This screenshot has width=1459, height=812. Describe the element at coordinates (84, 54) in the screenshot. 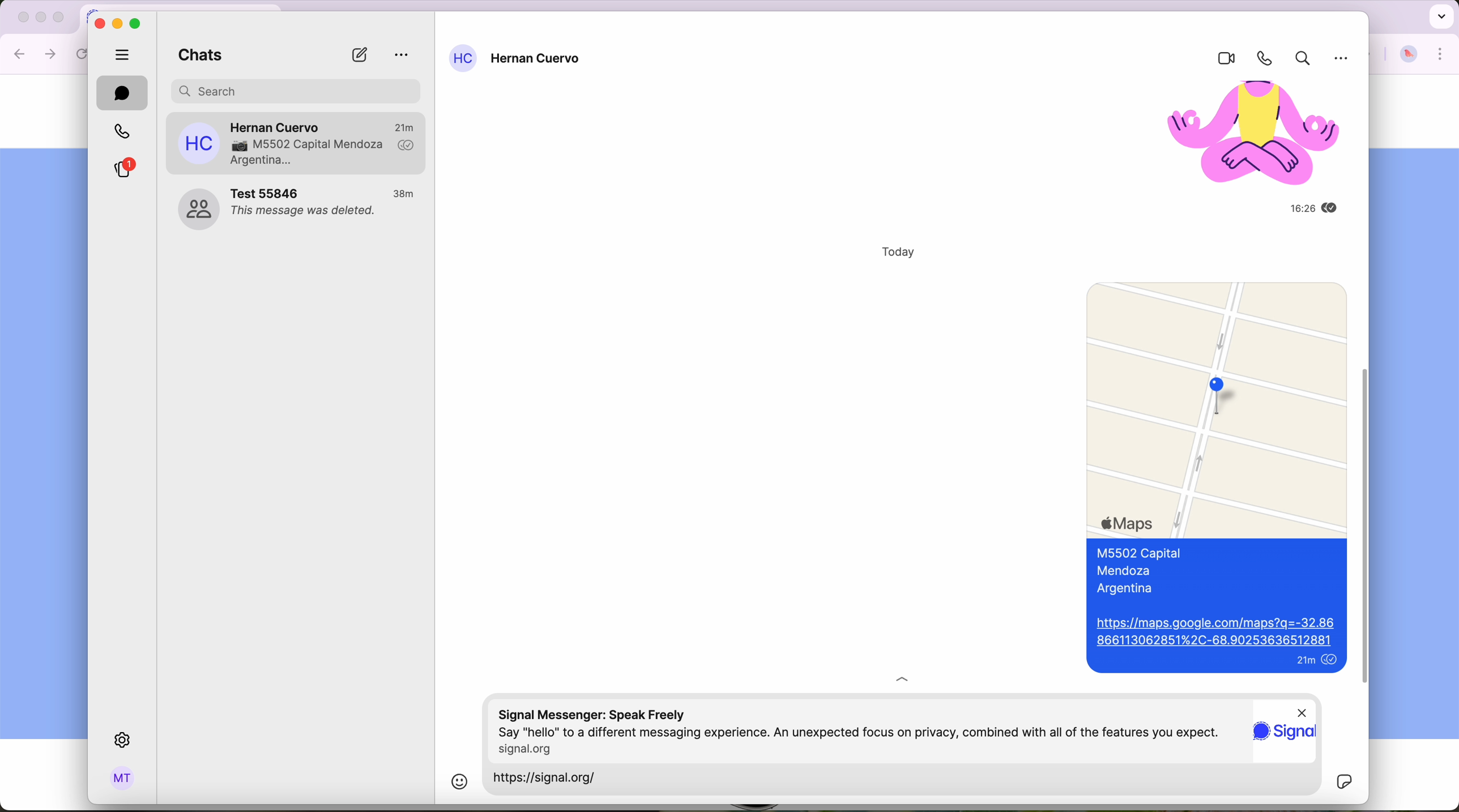

I see `refresh the page` at that location.